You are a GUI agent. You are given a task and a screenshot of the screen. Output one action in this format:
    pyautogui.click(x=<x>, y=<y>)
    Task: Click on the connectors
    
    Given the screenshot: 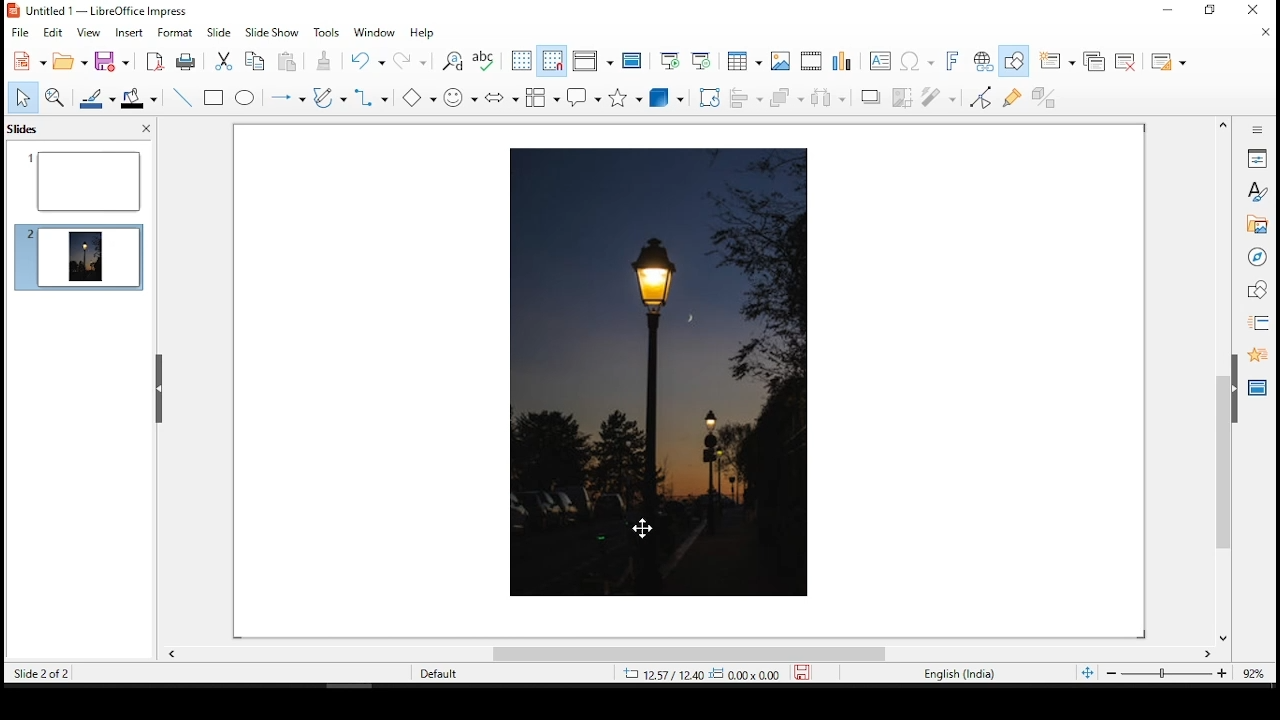 What is the action you would take?
    pyautogui.click(x=369, y=99)
    